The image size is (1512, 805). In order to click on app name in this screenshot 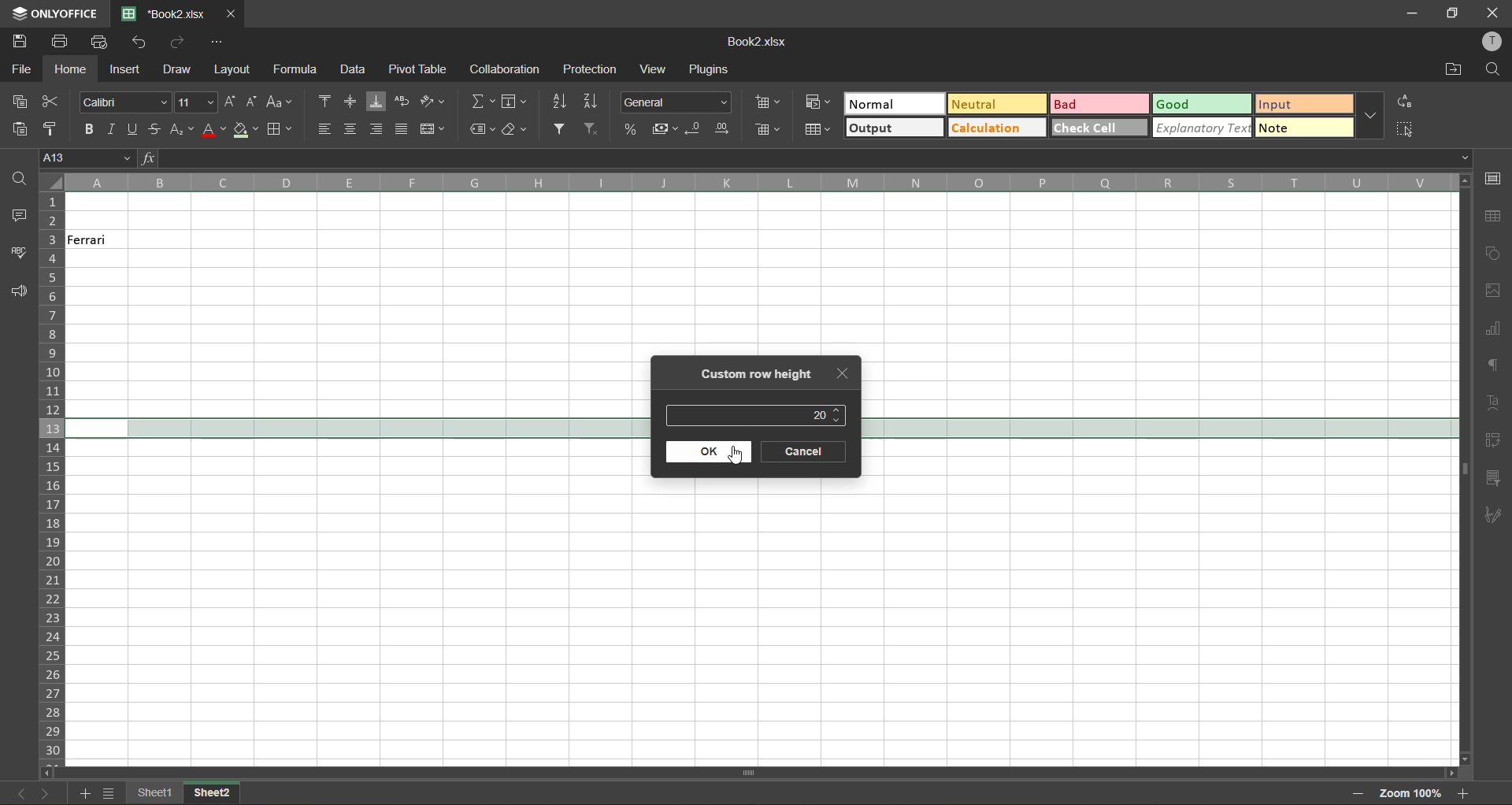, I will do `click(55, 13)`.